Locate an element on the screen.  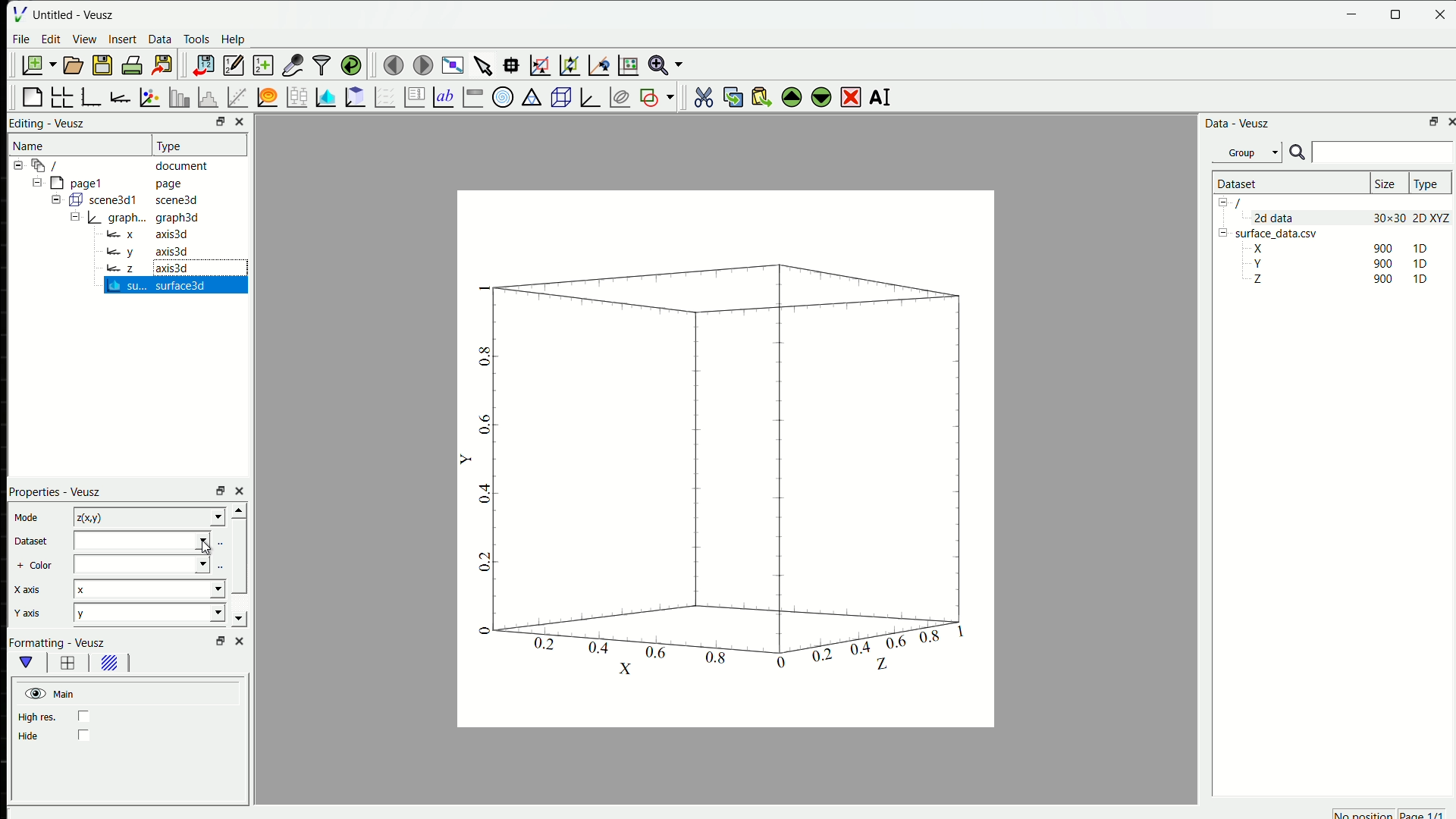
copy the selected widget is located at coordinates (734, 97).